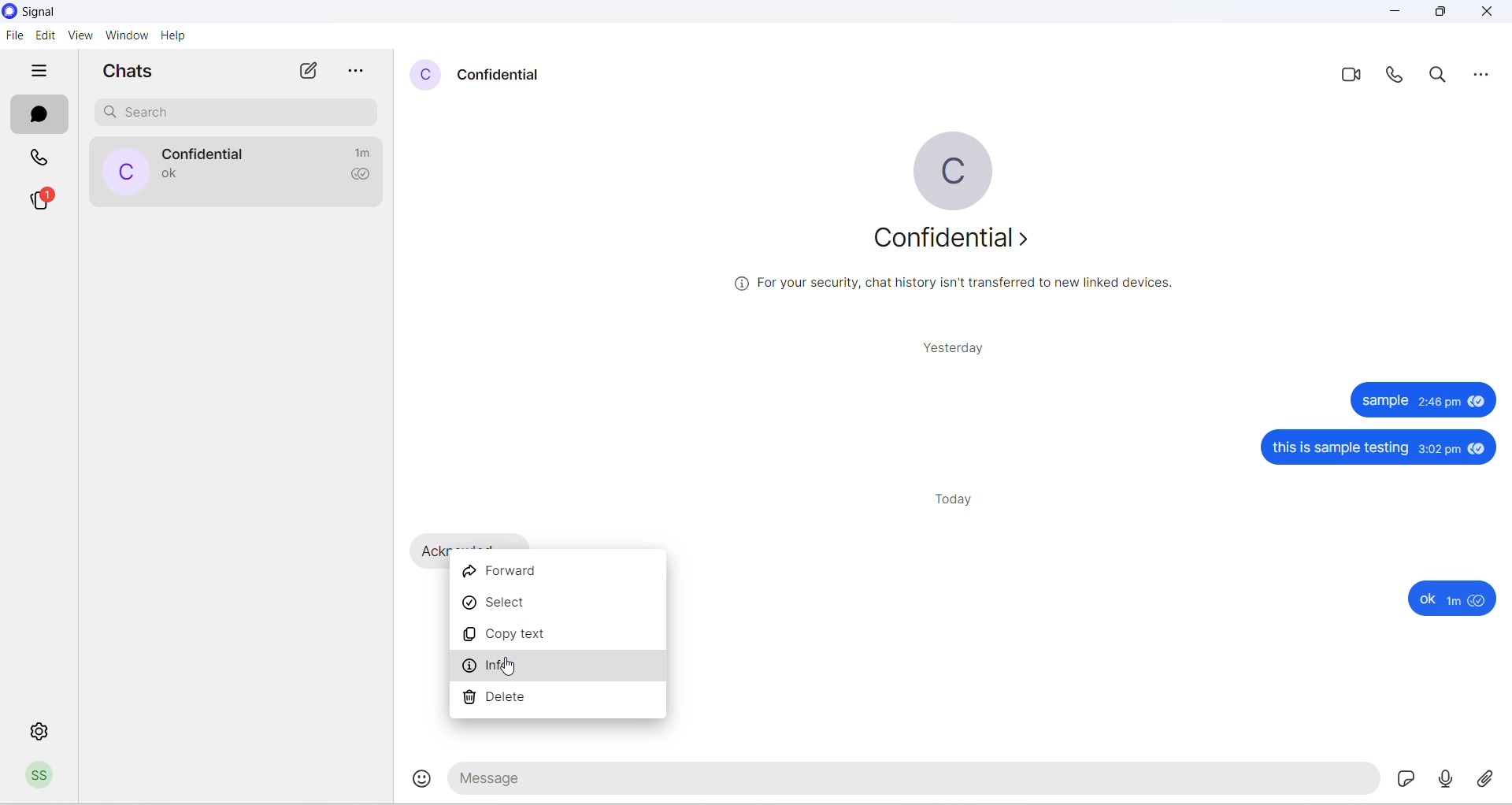 This screenshot has width=1512, height=805. Describe the element at coordinates (44, 35) in the screenshot. I see `edit` at that location.